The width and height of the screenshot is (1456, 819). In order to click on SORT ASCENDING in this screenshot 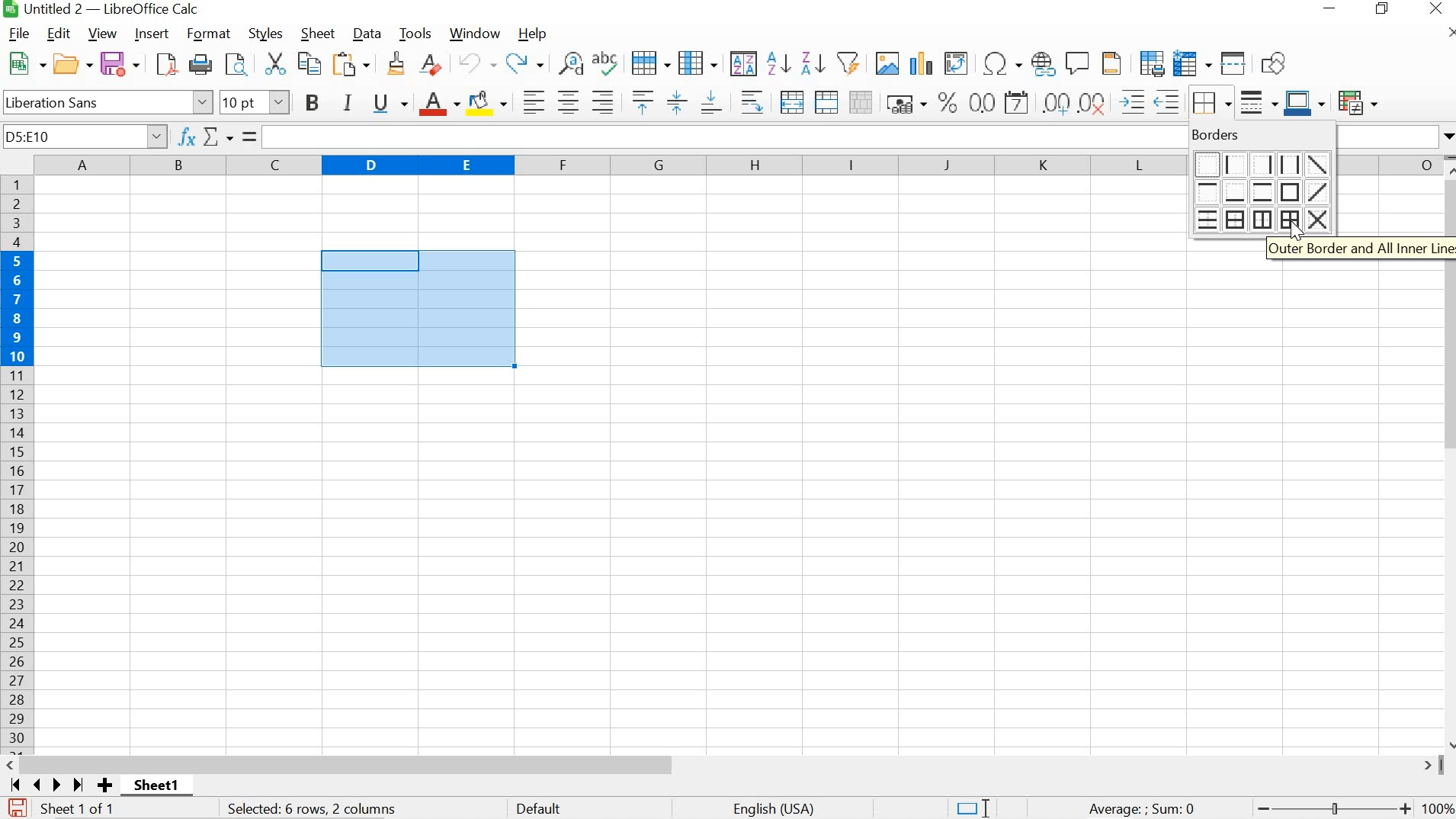, I will do `click(777, 65)`.